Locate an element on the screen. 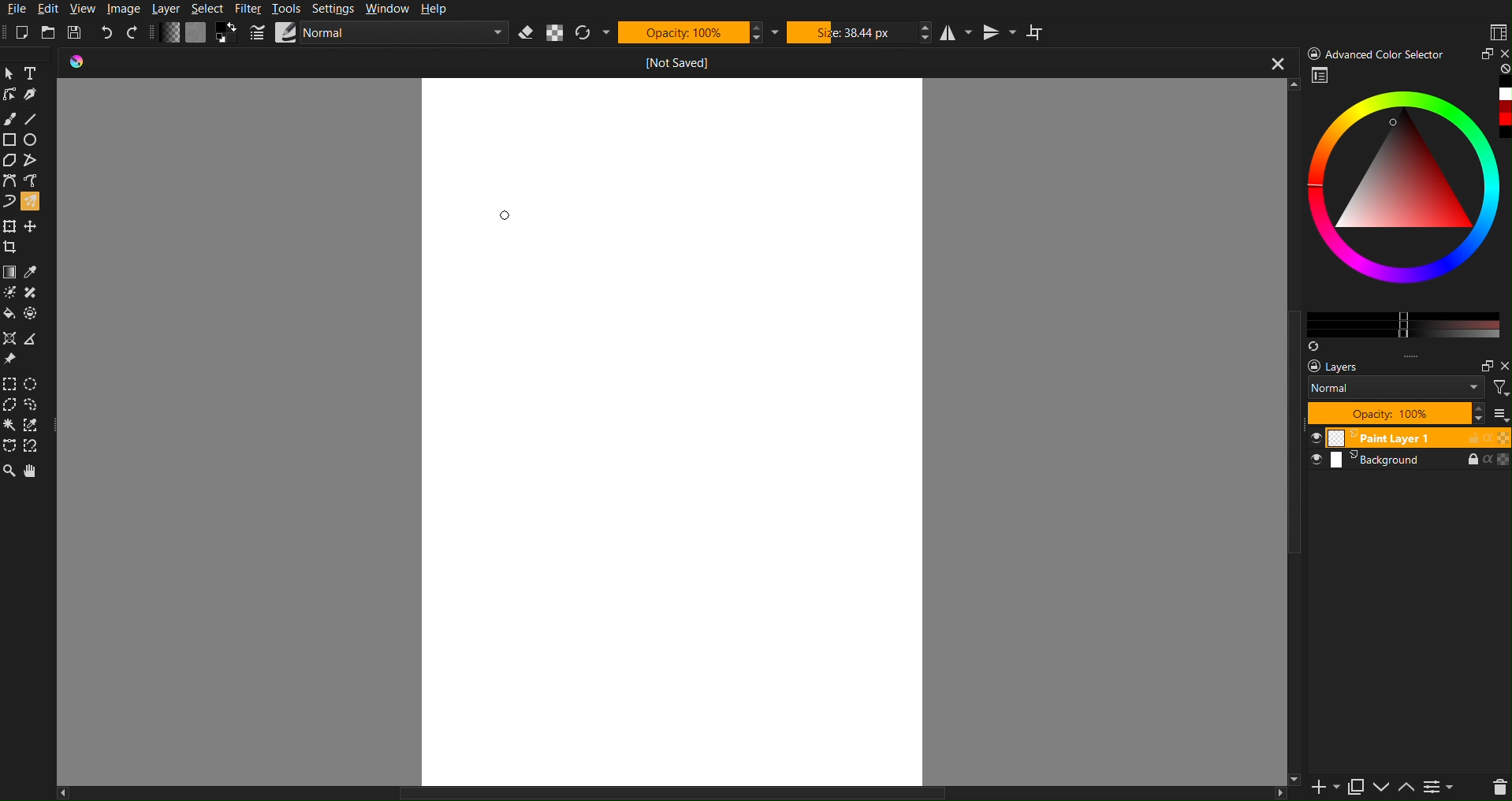 This screenshot has width=1512, height=801. Magnetic Selection Tool is located at coordinates (37, 447).